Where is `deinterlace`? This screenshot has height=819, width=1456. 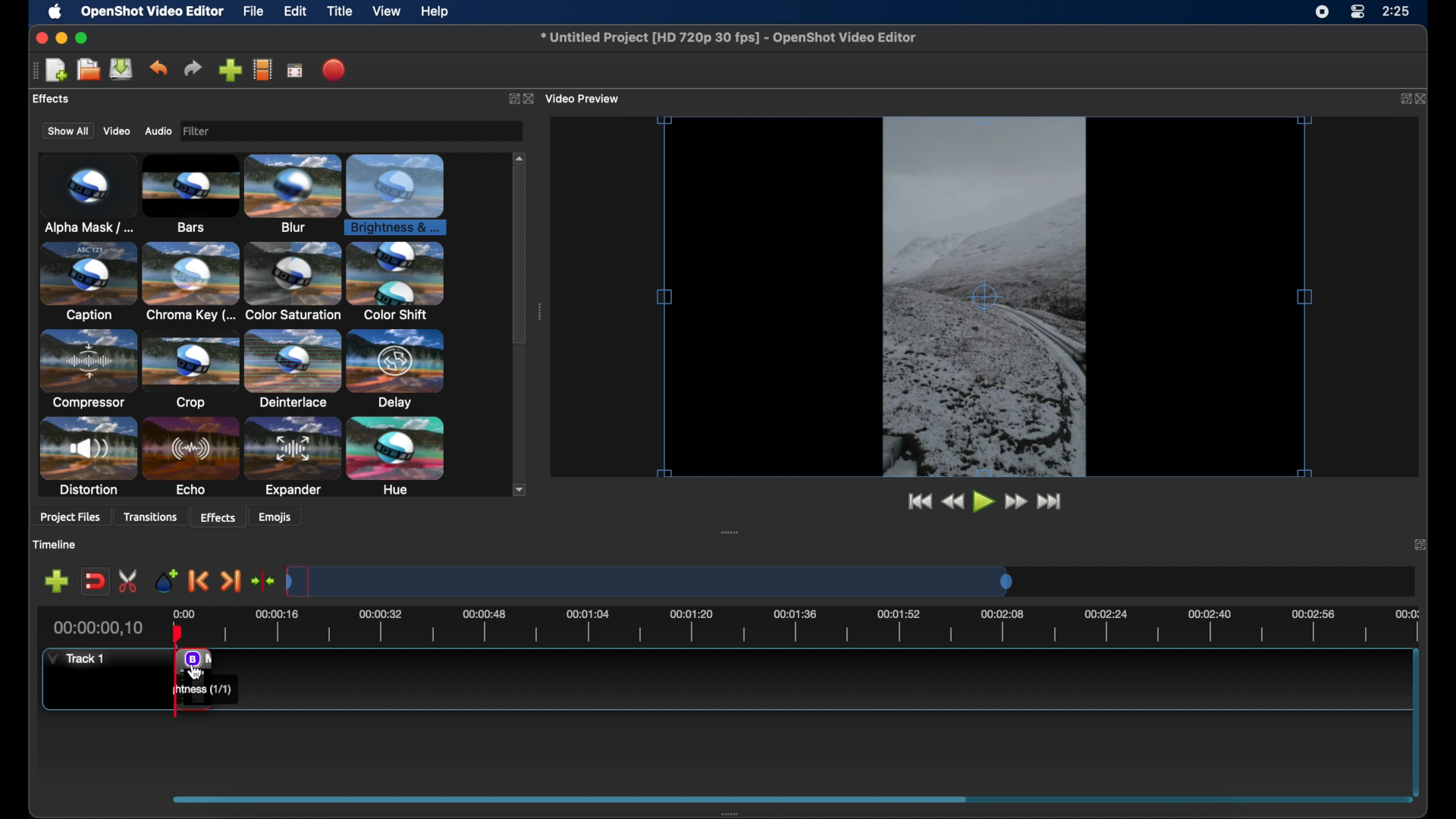 deinterlace is located at coordinates (293, 369).